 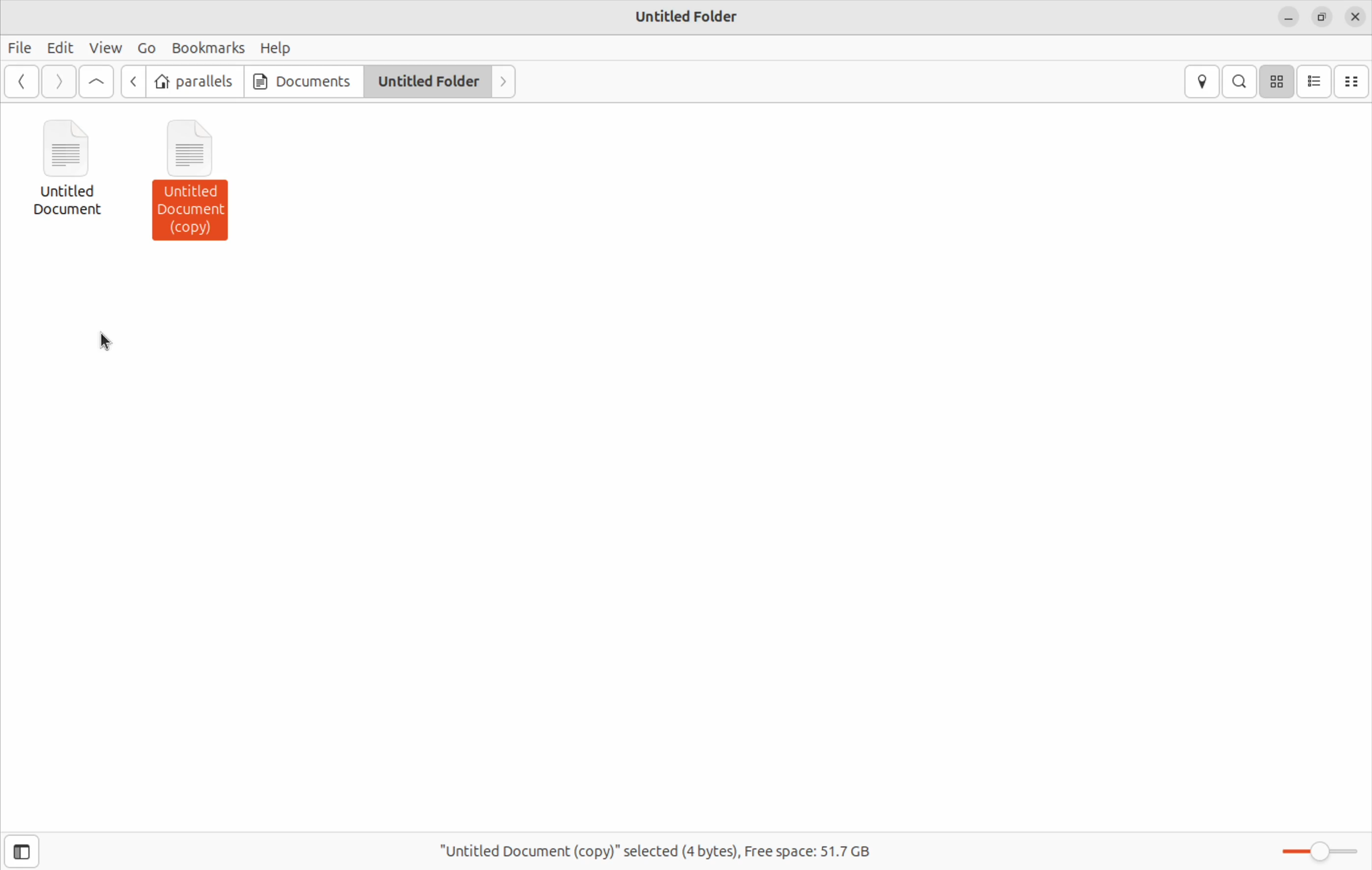 I want to click on Zoom, so click(x=1316, y=850).